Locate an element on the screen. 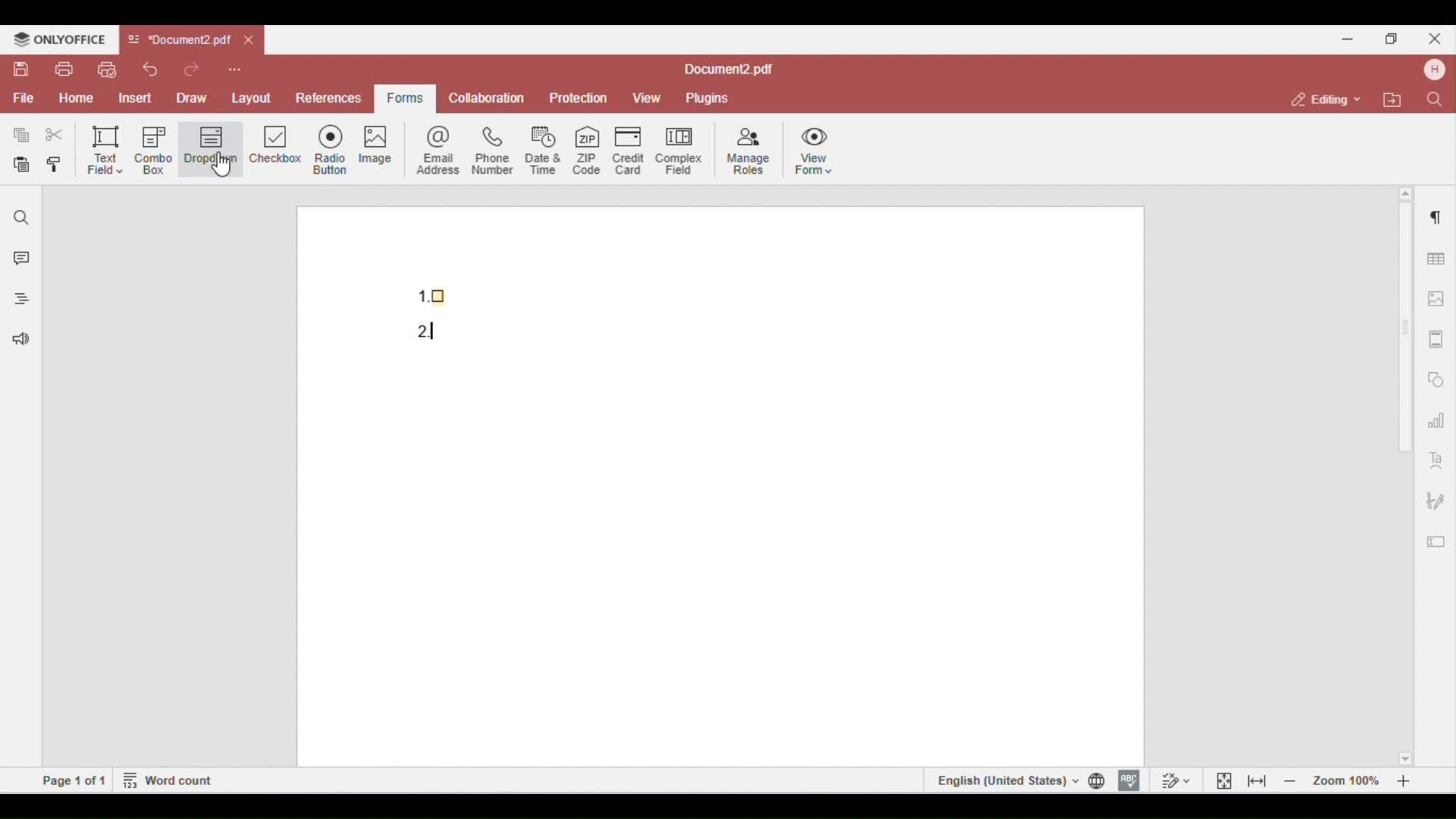  collaboration is located at coordinates (487, 97).